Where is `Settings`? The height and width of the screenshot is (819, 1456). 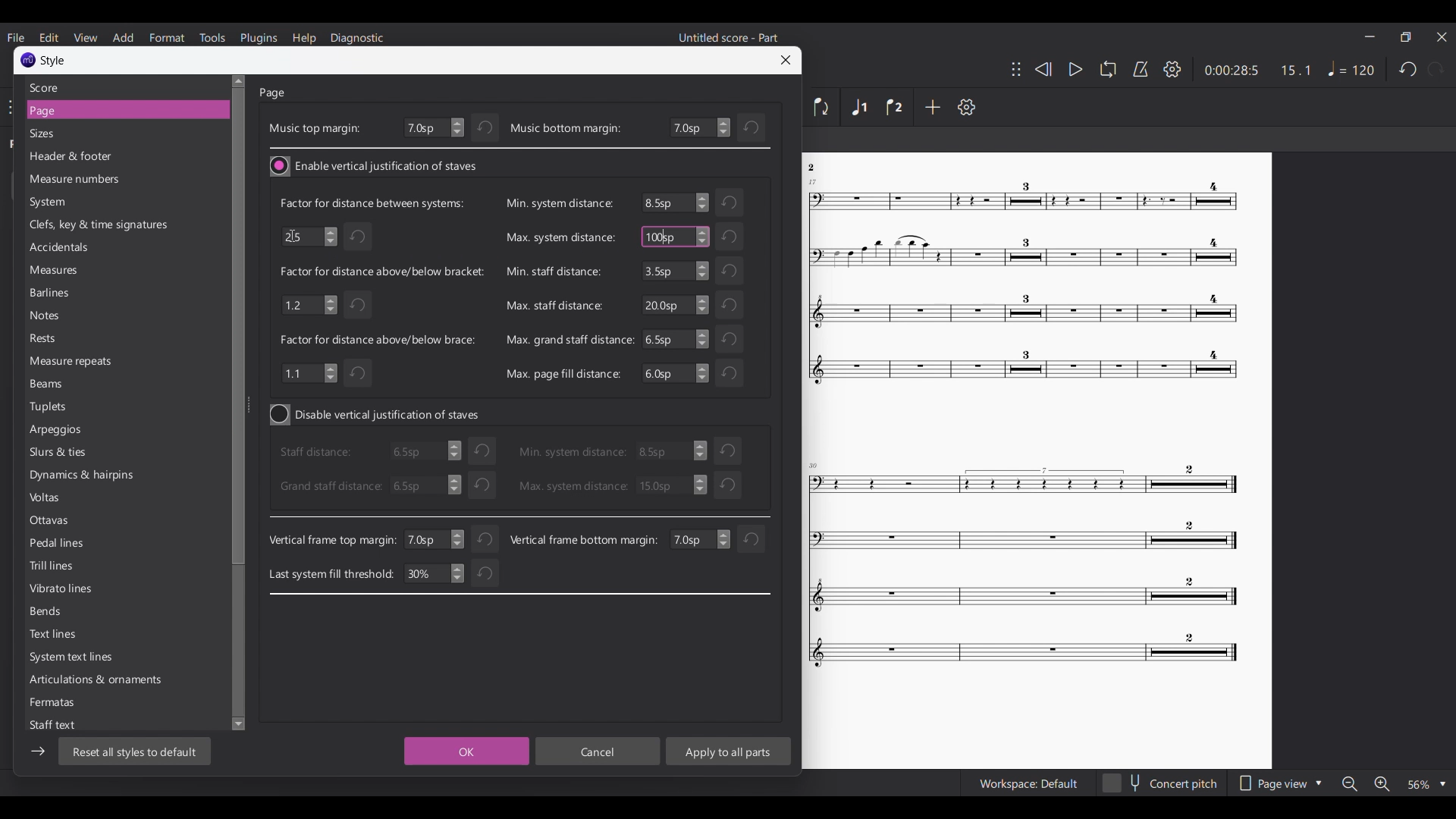
Settings is located at coordinates (966, 107).